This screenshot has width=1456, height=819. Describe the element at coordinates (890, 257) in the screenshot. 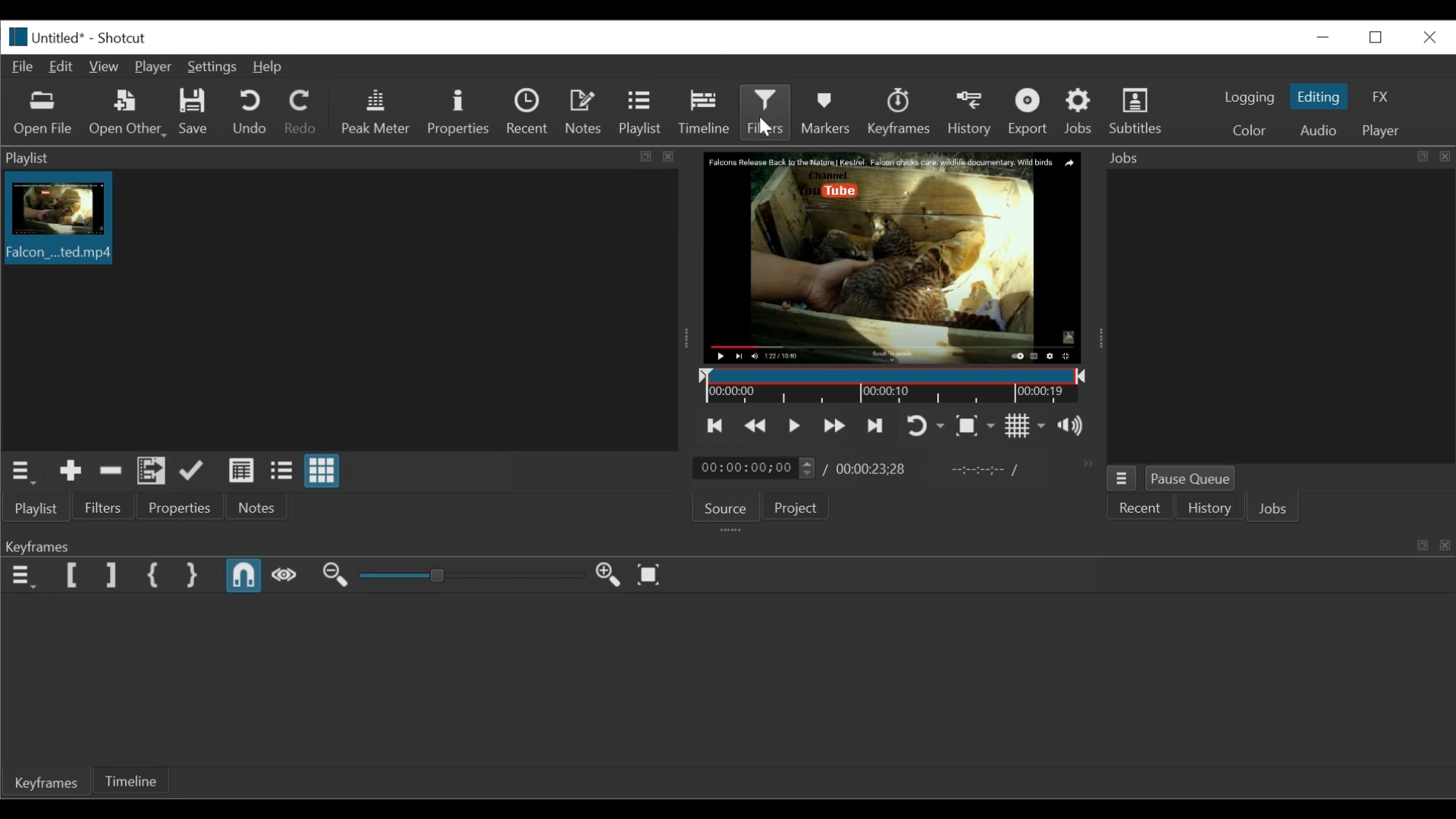

I see `Media Viewer` at that location.